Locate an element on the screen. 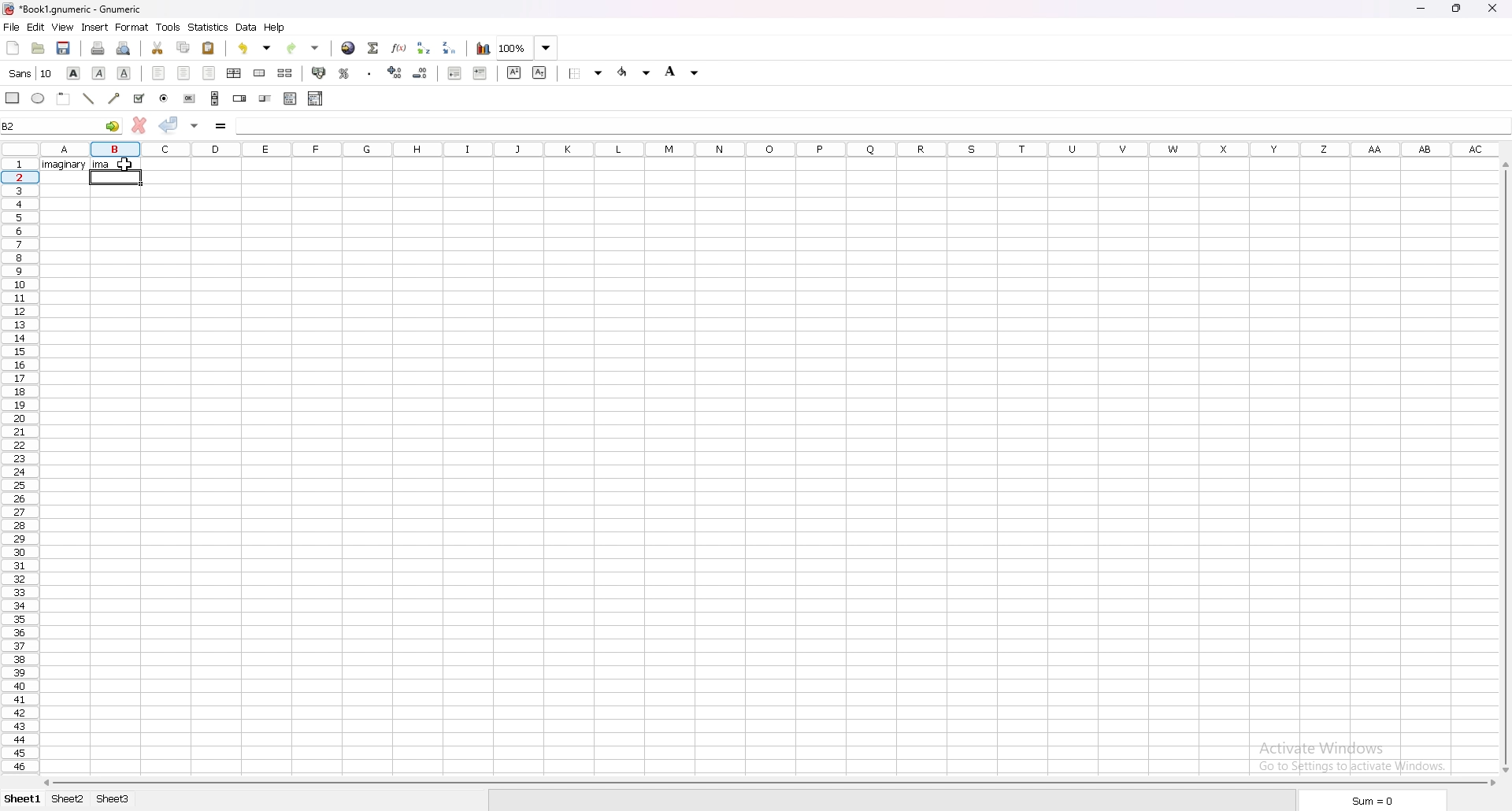  new is located at coordinates (13, 48).